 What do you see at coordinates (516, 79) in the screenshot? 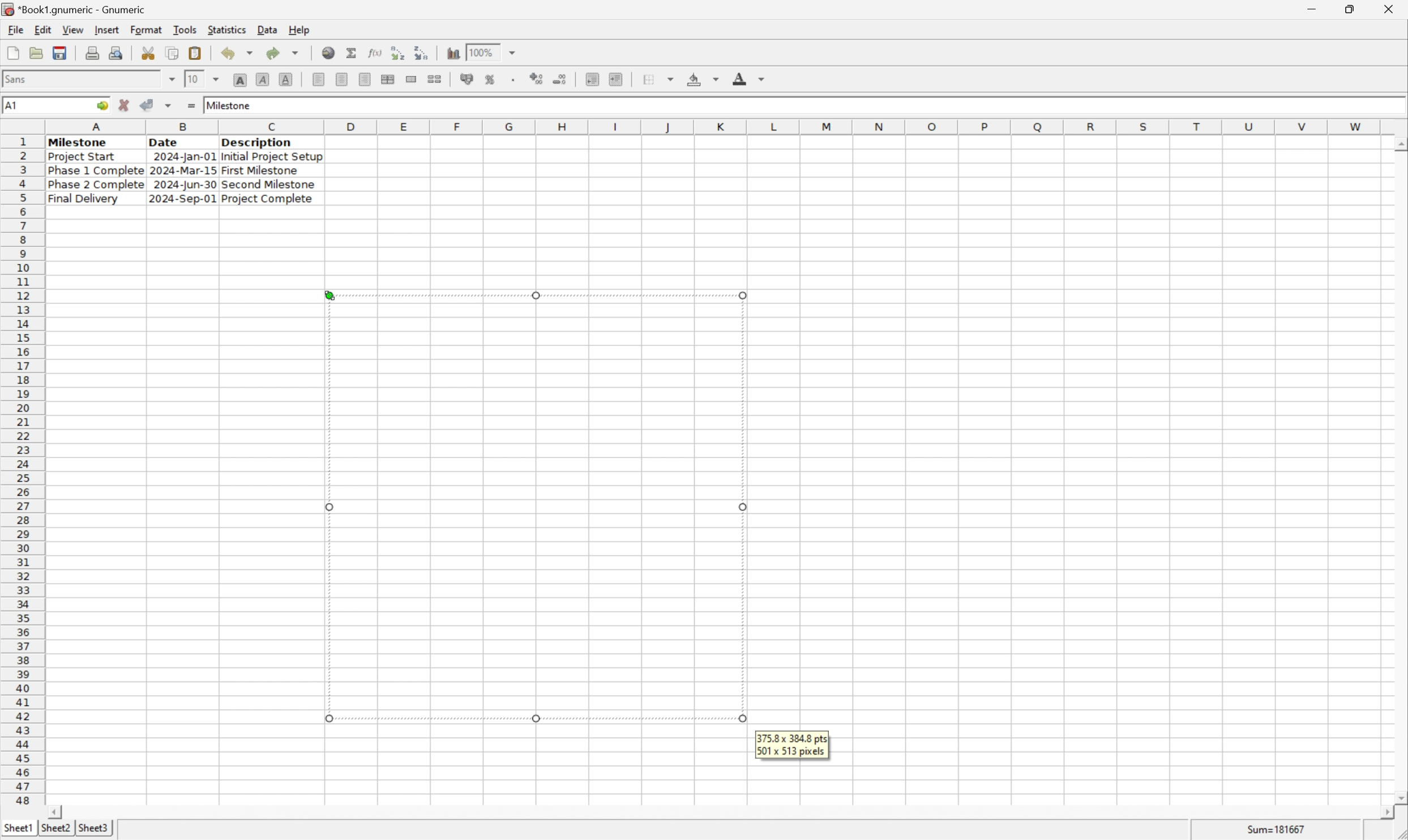
I see `Set the format of the selected cells to include a thousands separator` at bounding box center [516, 79].